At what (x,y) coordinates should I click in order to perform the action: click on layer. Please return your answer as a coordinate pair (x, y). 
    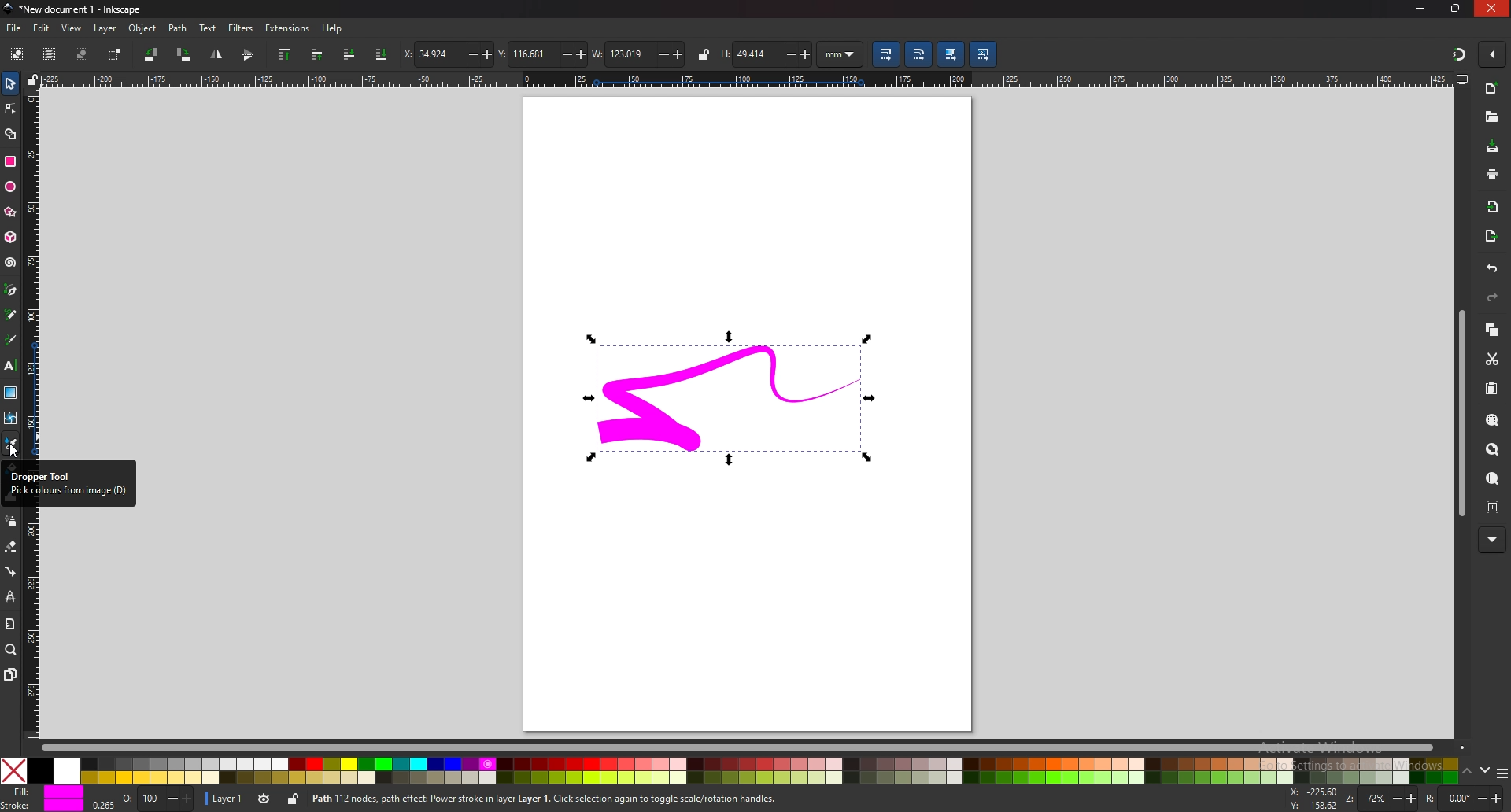
    Looking at the image, I should click on (222, 799).